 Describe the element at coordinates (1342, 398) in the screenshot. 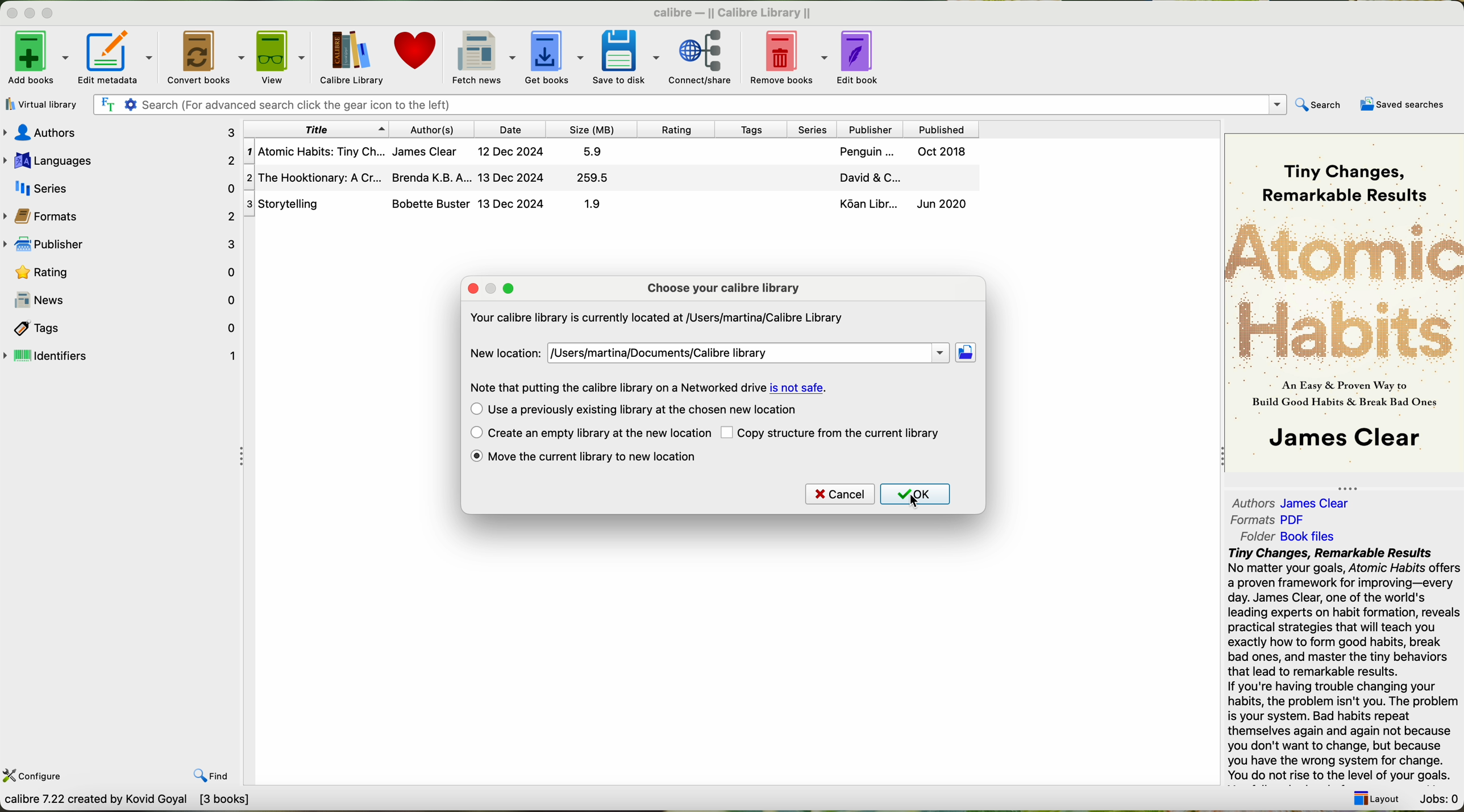

I see `An easy proven way to build Good Habits & Break Bad Ones` at that location.